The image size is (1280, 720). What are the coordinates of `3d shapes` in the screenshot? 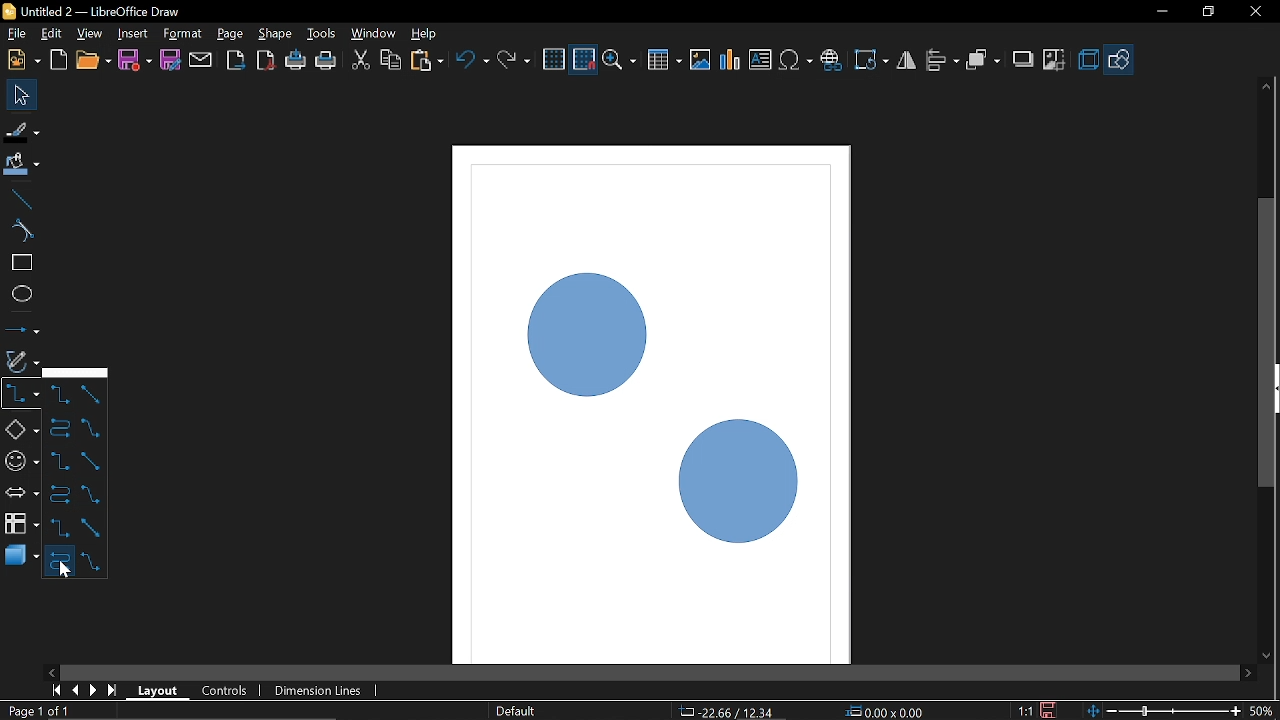 It's located at (21, 557).